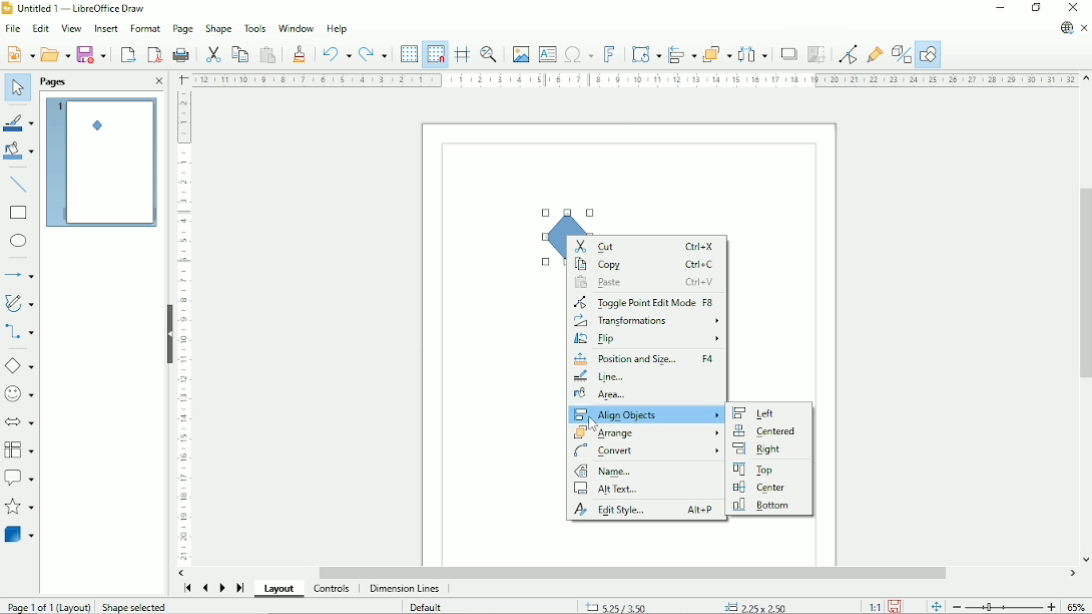 Image resolution: width=1092 pixels, height=614 pixels. Describe the element at coordinates (753, 53) in the screenshot. I see `Distribute` at that location.